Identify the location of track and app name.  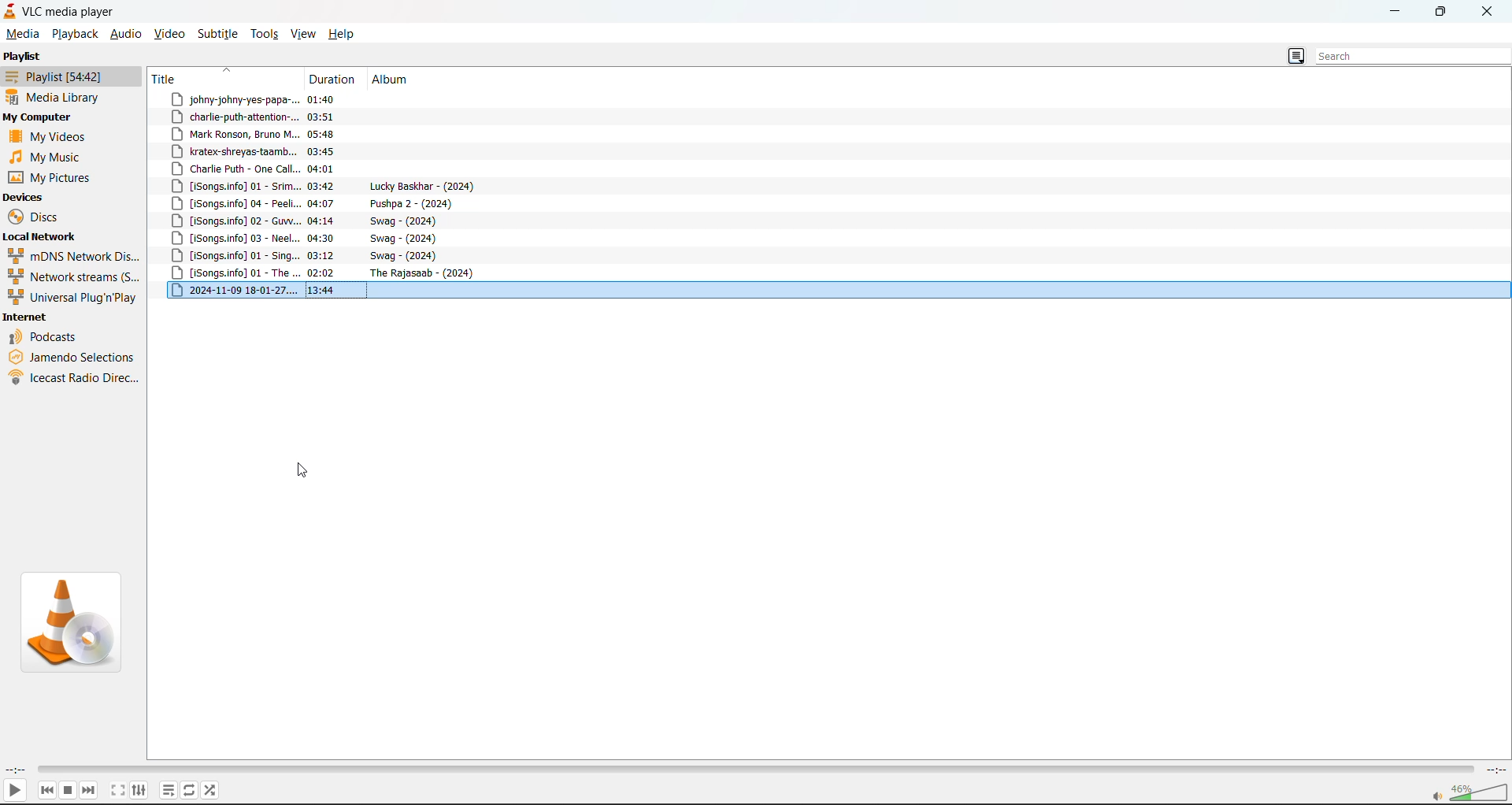
(61, 10).